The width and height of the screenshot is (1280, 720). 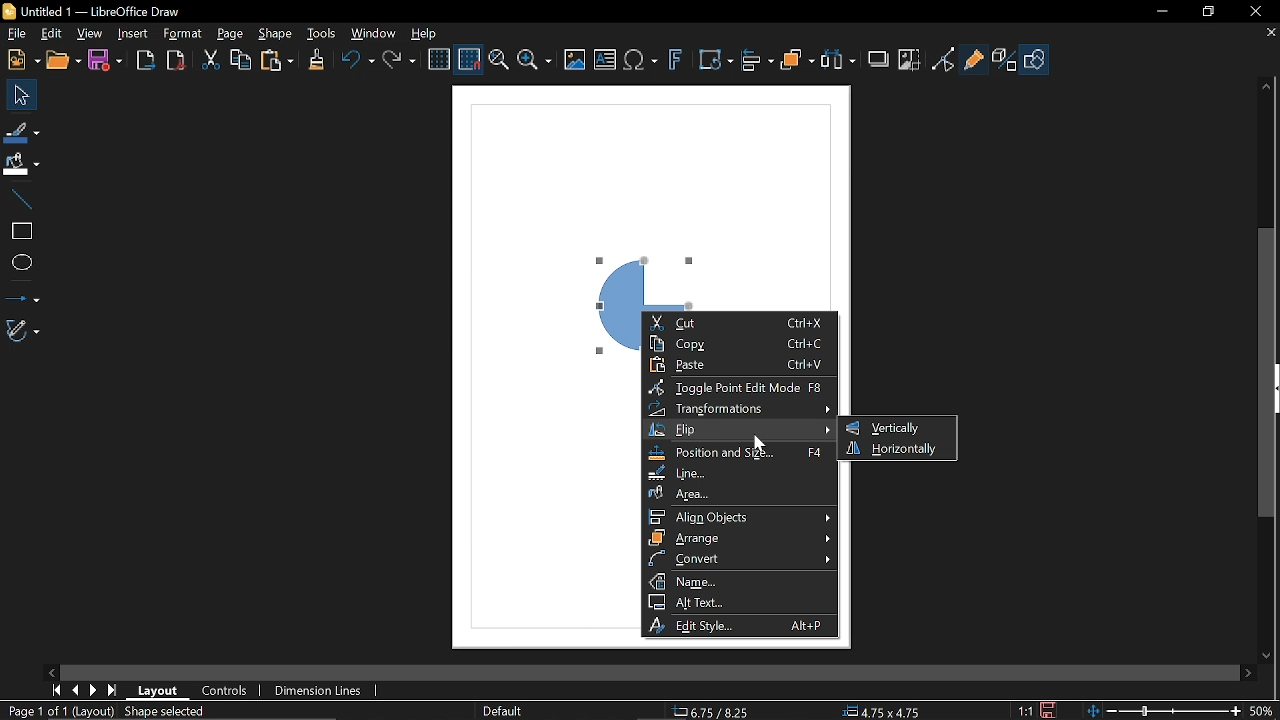 I want to click on cursor, so click(x=757, y=443).